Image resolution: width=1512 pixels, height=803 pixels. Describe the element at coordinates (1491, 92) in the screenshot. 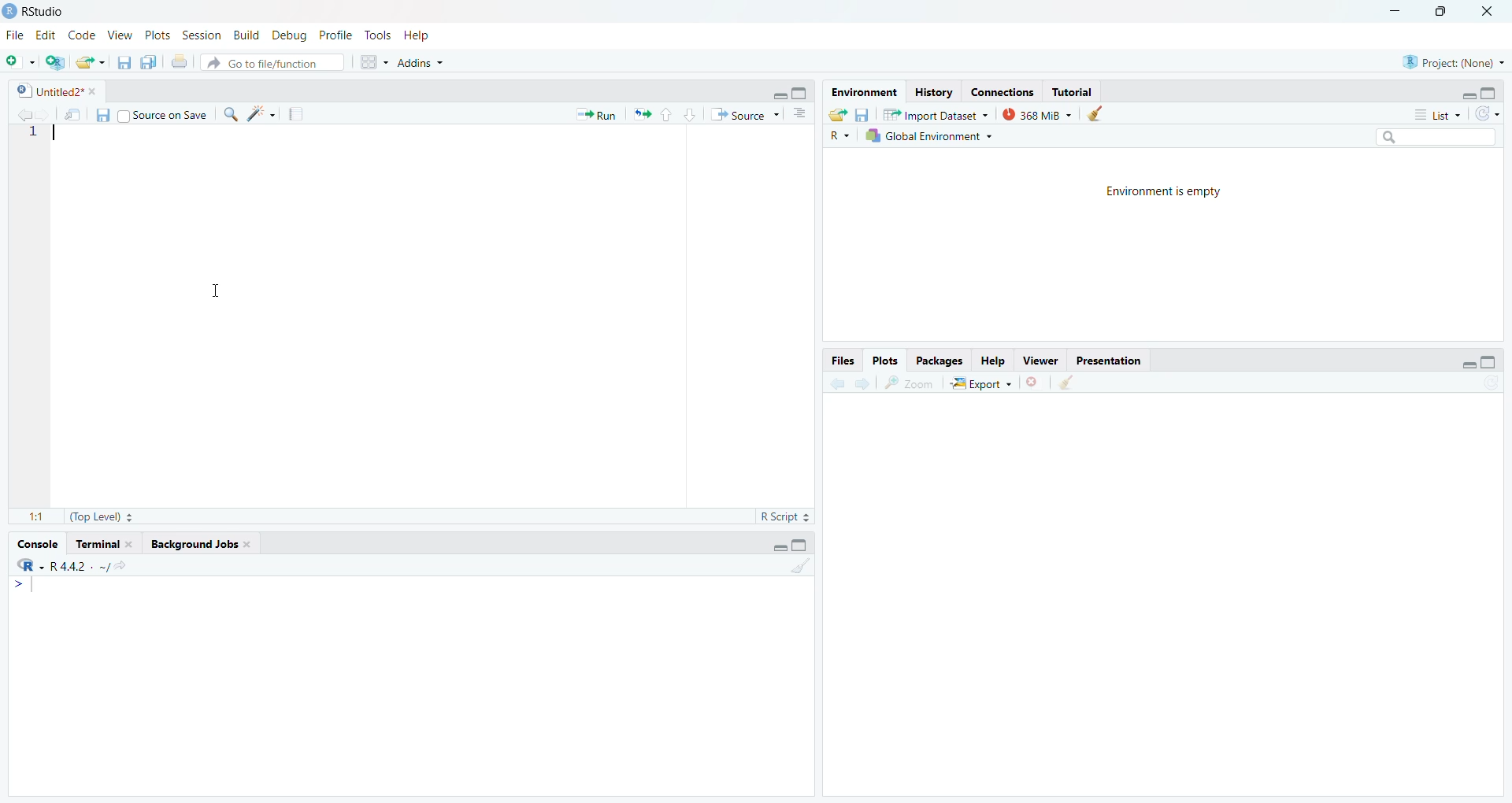

I see `maximise` at that location.